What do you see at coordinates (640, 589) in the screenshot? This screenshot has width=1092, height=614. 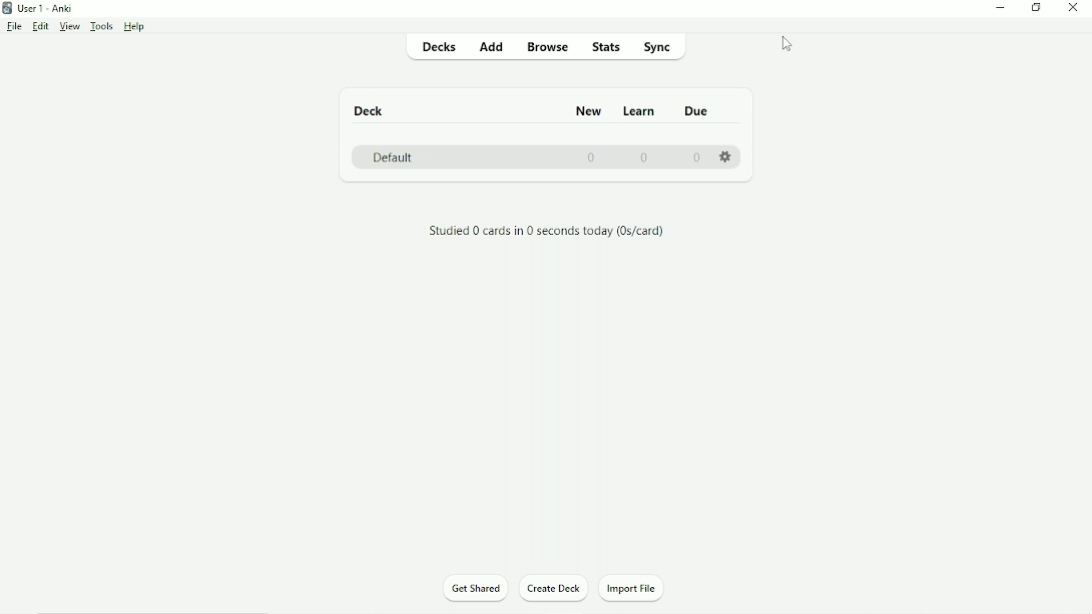 I see `Import File` at bounding box center [640, 589].